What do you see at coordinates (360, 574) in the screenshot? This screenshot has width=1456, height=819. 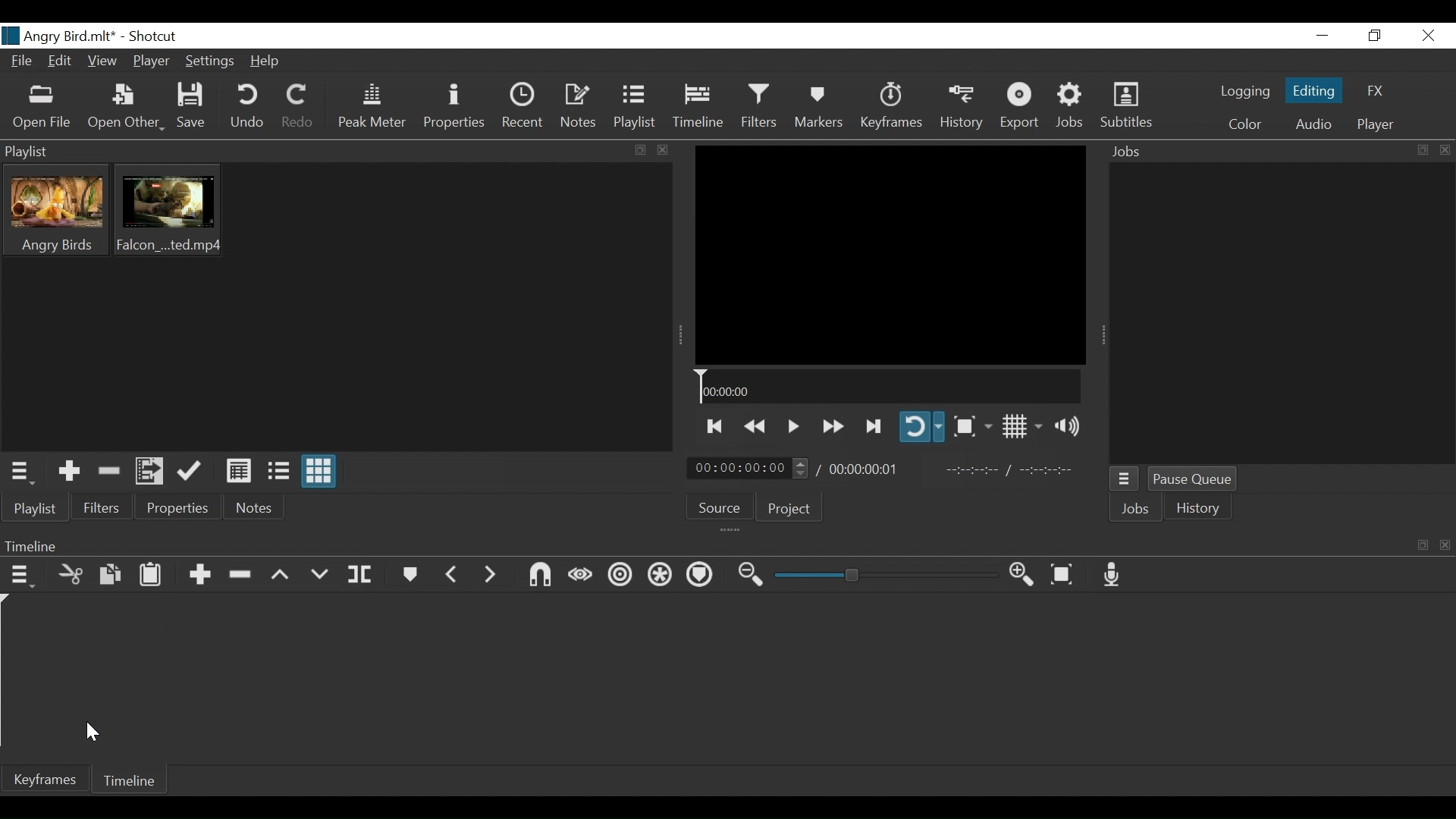 I see `Split at playhead` at bounding box center [360, 574].